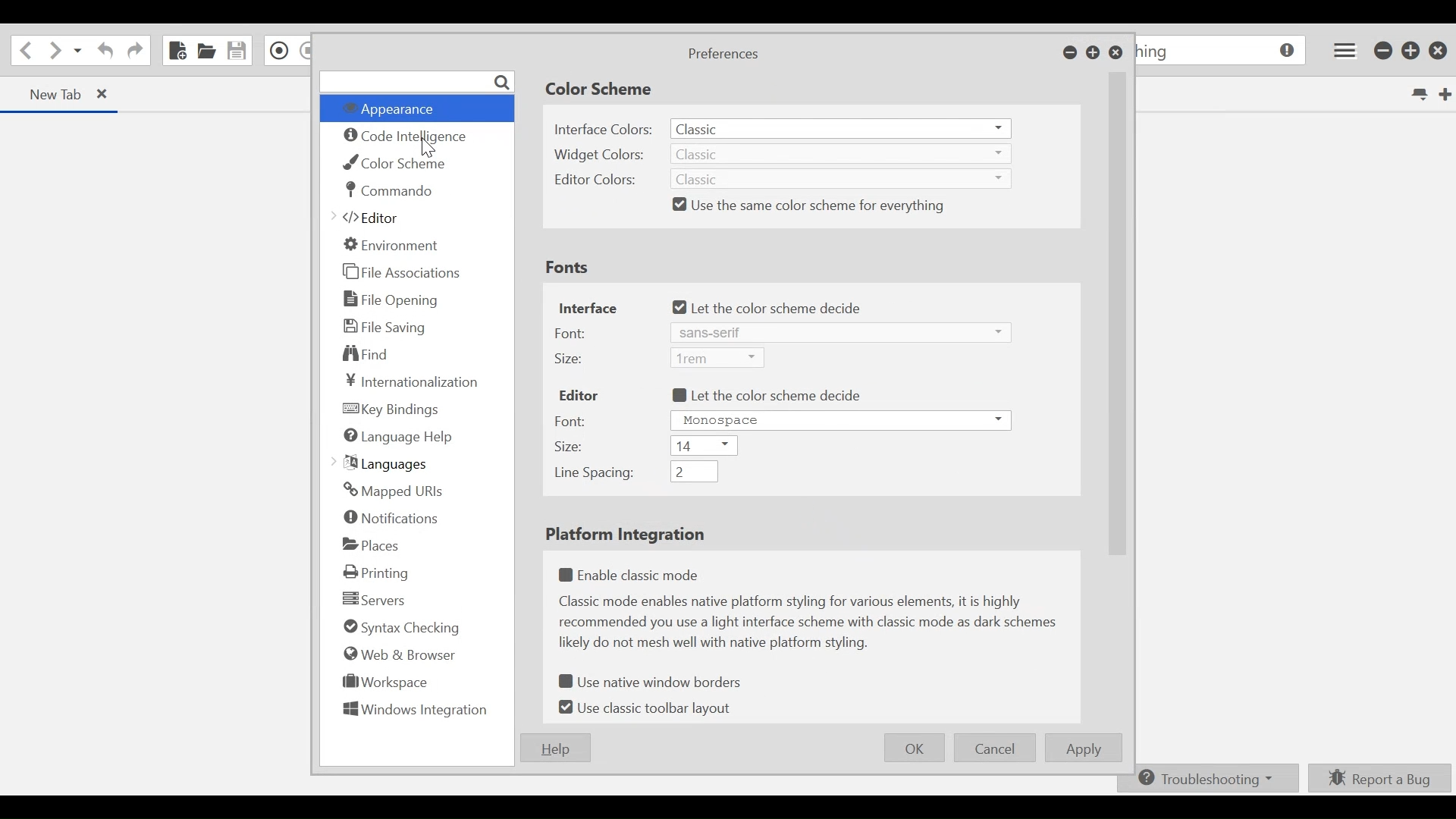 The image size is (1456, 819). What do you see at coordinates (718, 358) in the screenshot?
I see `1rem` at bounding box center [718, 358].